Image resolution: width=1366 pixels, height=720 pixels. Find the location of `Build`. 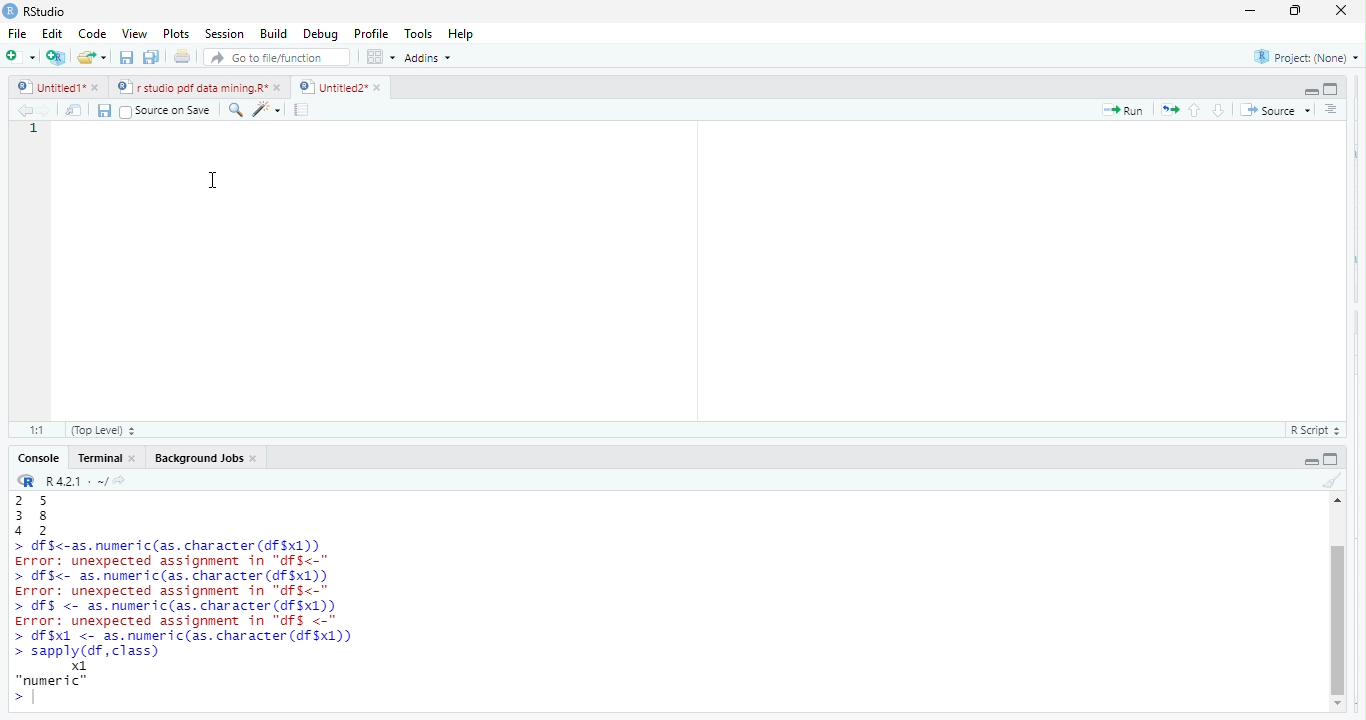

Build is located at coordinates (274, 34).